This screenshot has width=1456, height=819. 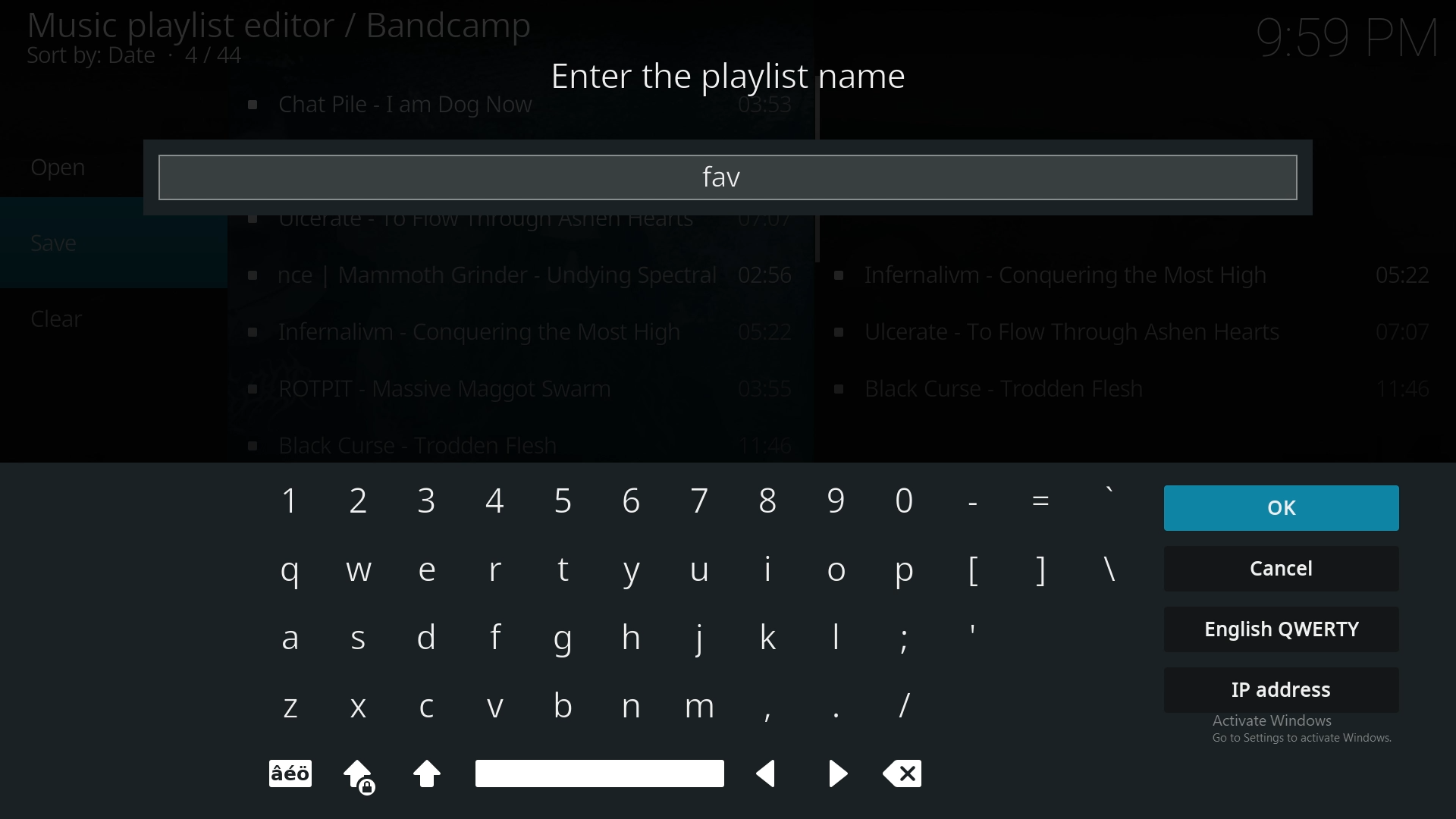 What do you see at coordinates (563, 497) in the screenshot?
I see `keyboard input` at bounding box center [563, 497].